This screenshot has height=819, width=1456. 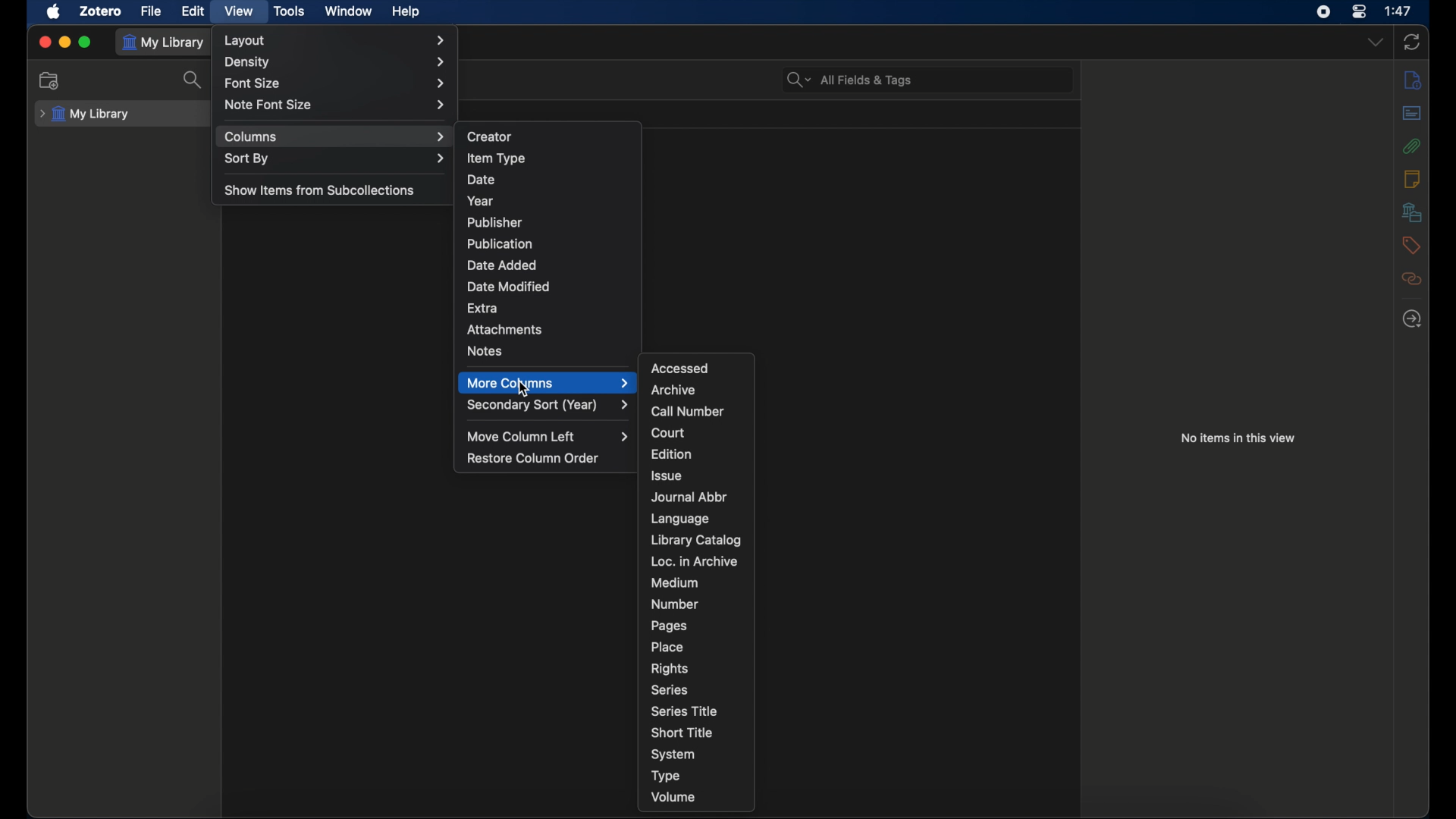 What do you see at coordinates (86, 42) in the screenshot?
I see `maximize` at bounding box center [86, 42].